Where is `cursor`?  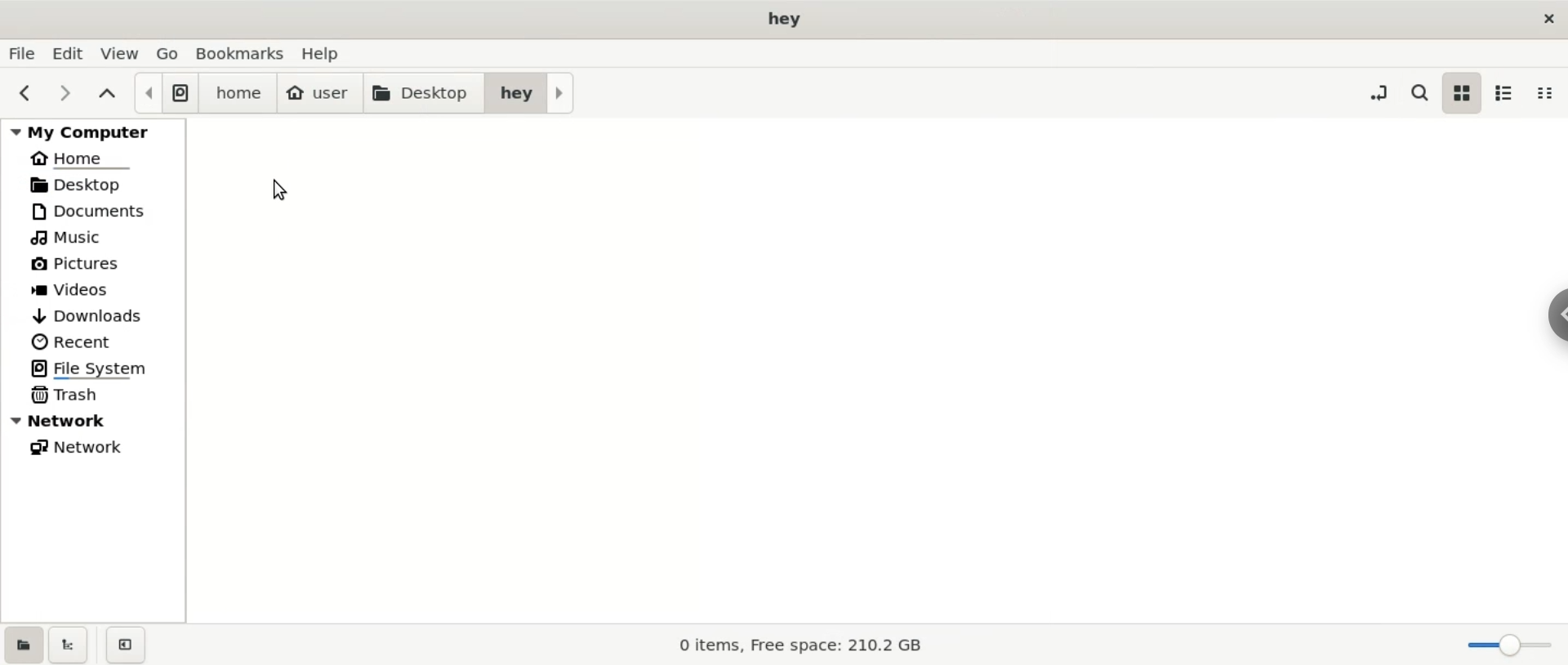
cursor is located at coordinates (281, 190).